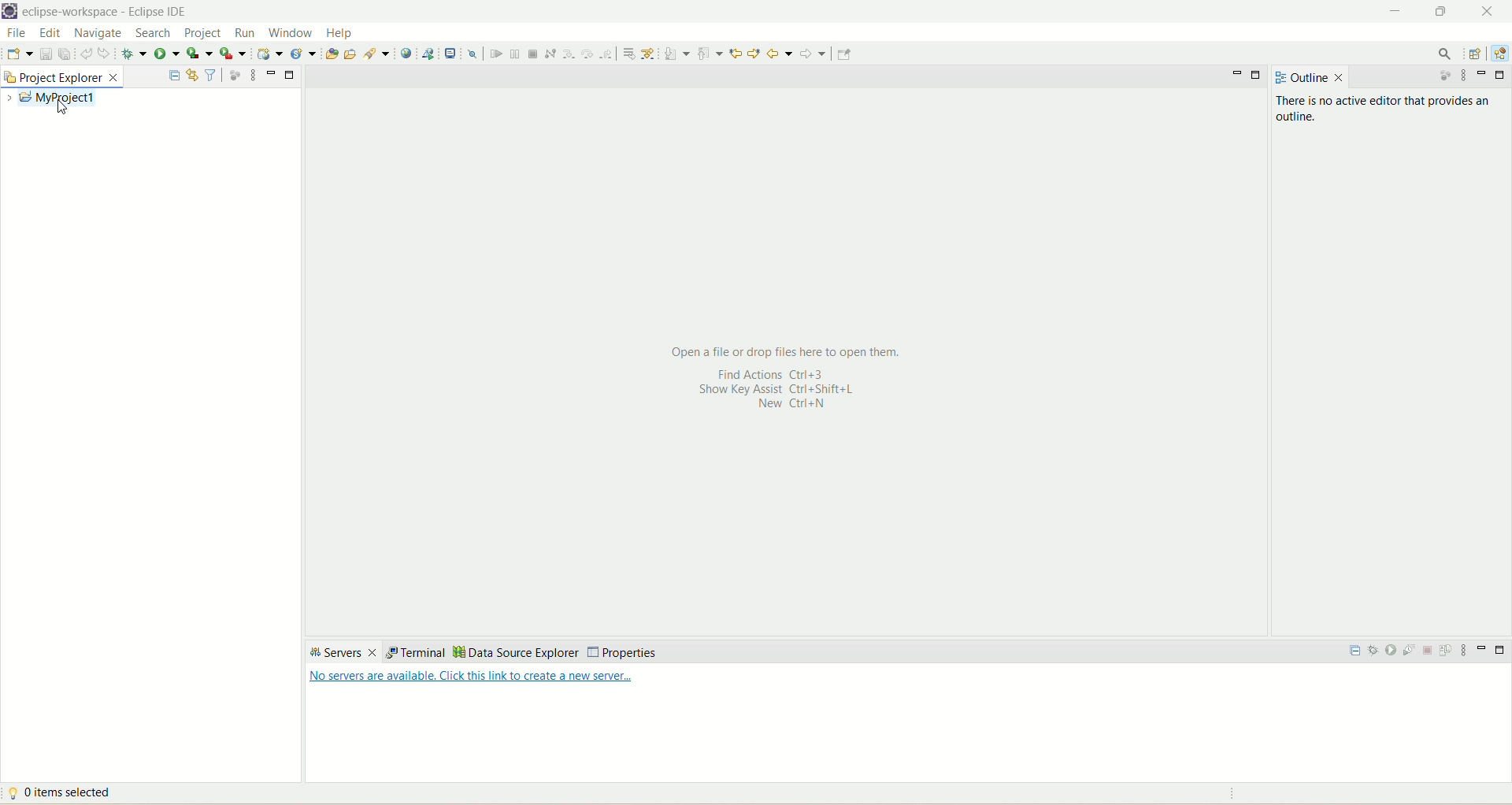  What do you see at coordinates (329, 54) in the screenshot?
I see `open type` at bounding box center [329, 54].